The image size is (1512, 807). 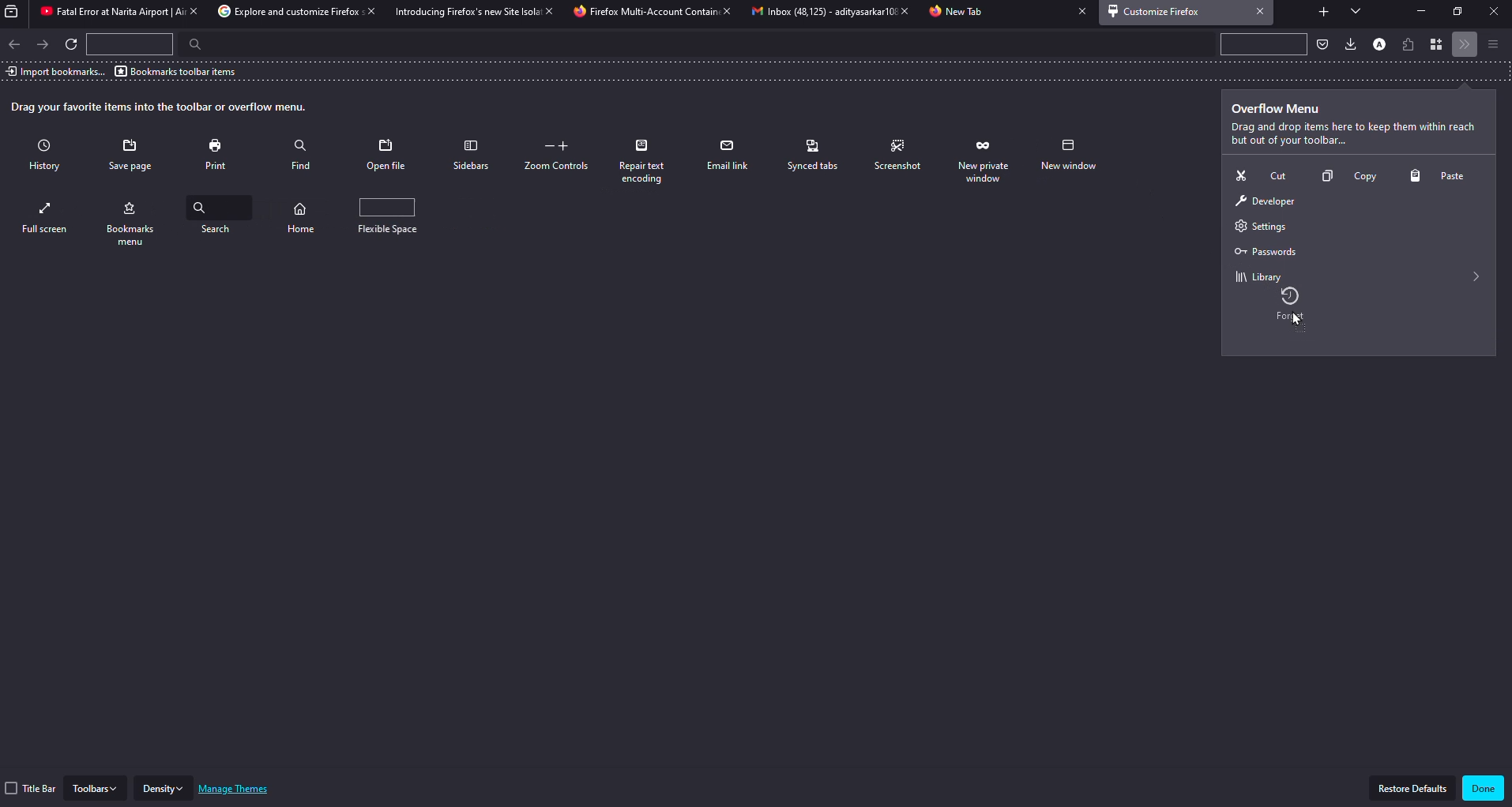 What do you see at coordinates (32, 788) in the screenshot?
I see `title bar` at bounding box center [32, 788].